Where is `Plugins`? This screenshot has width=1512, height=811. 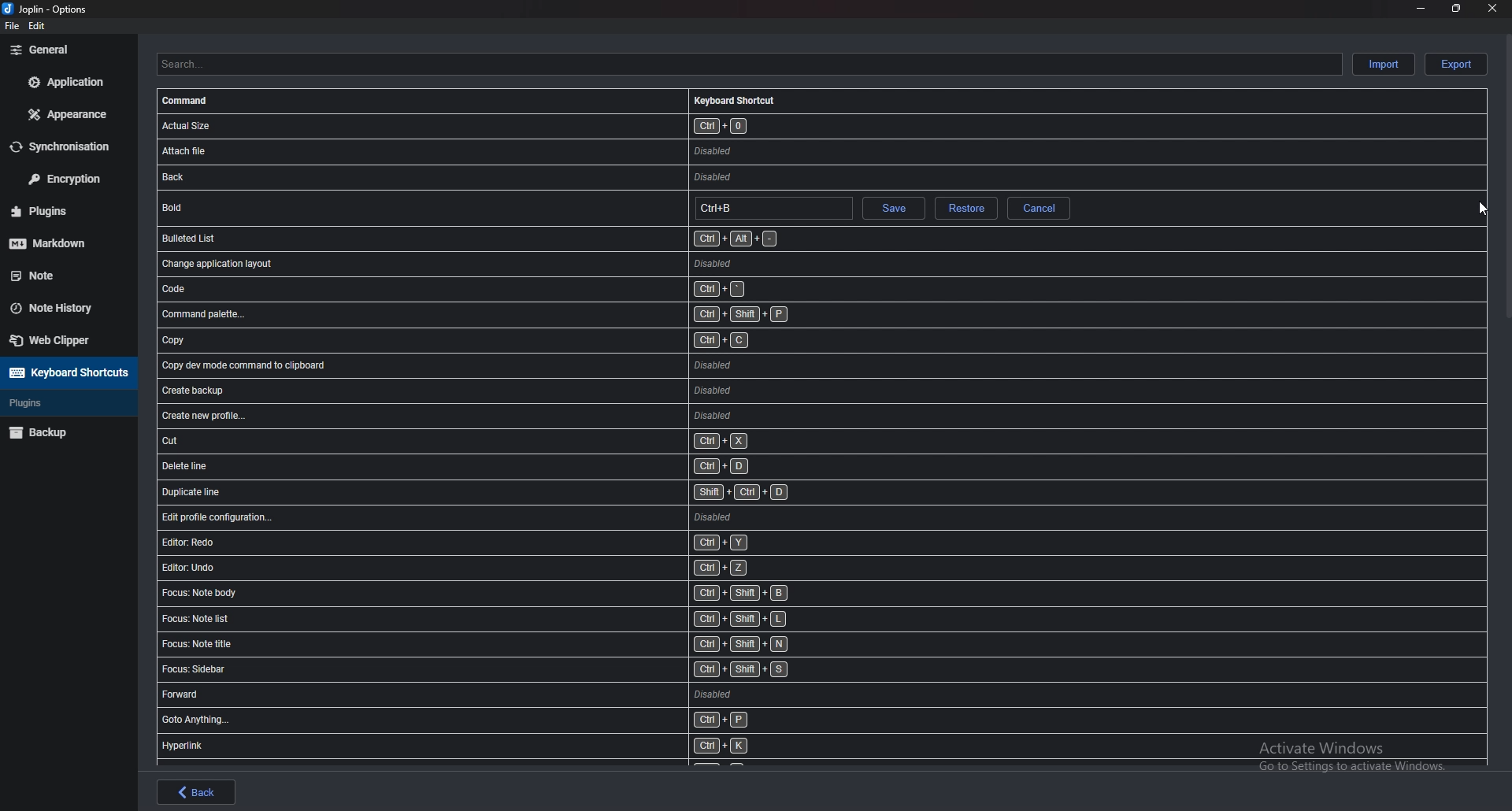
Plugins is located at coordinates (62, 402).